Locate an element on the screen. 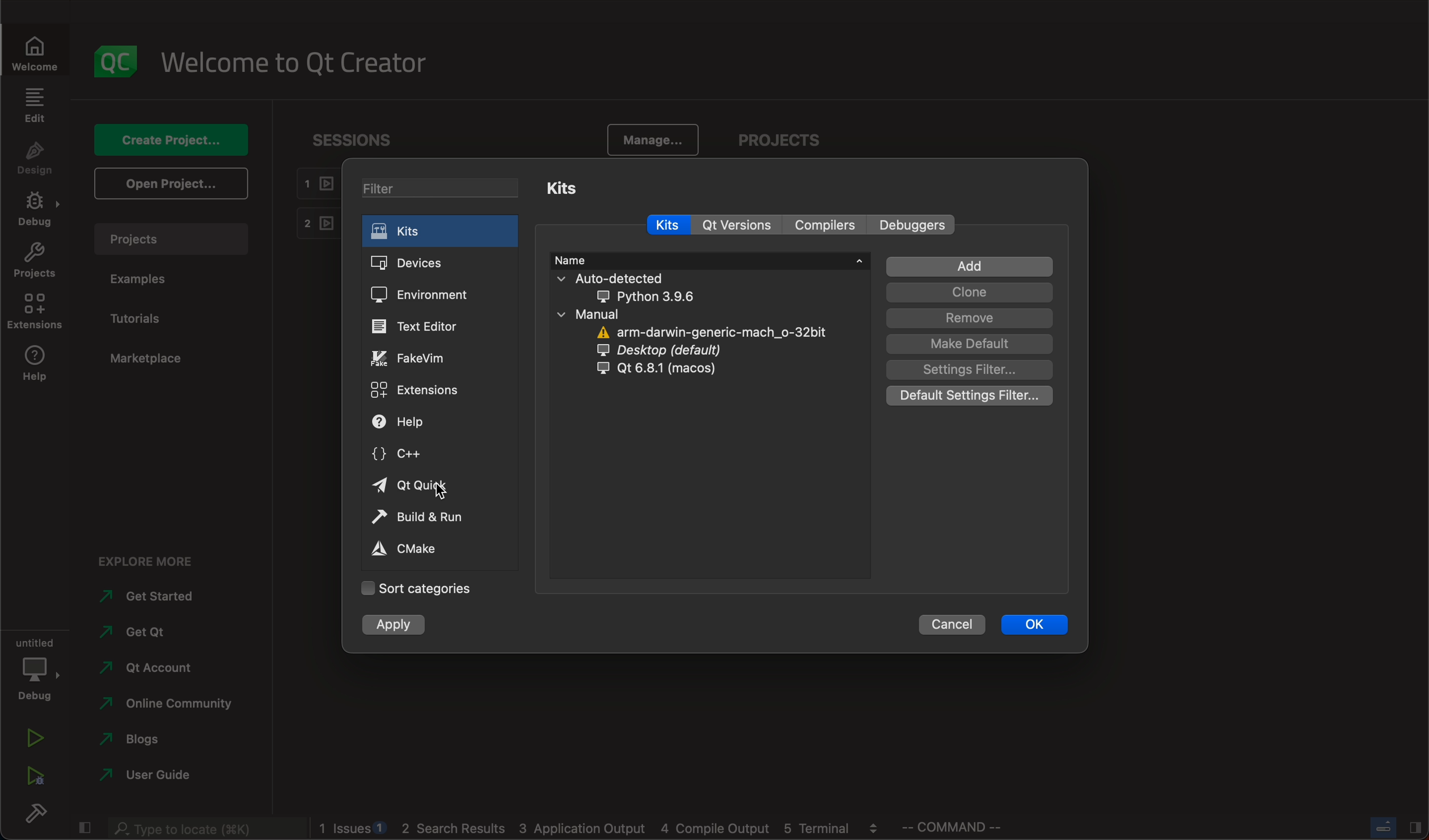 This screenshot has width=1429, height=840. fakevim is located at coordinates (416, 360).